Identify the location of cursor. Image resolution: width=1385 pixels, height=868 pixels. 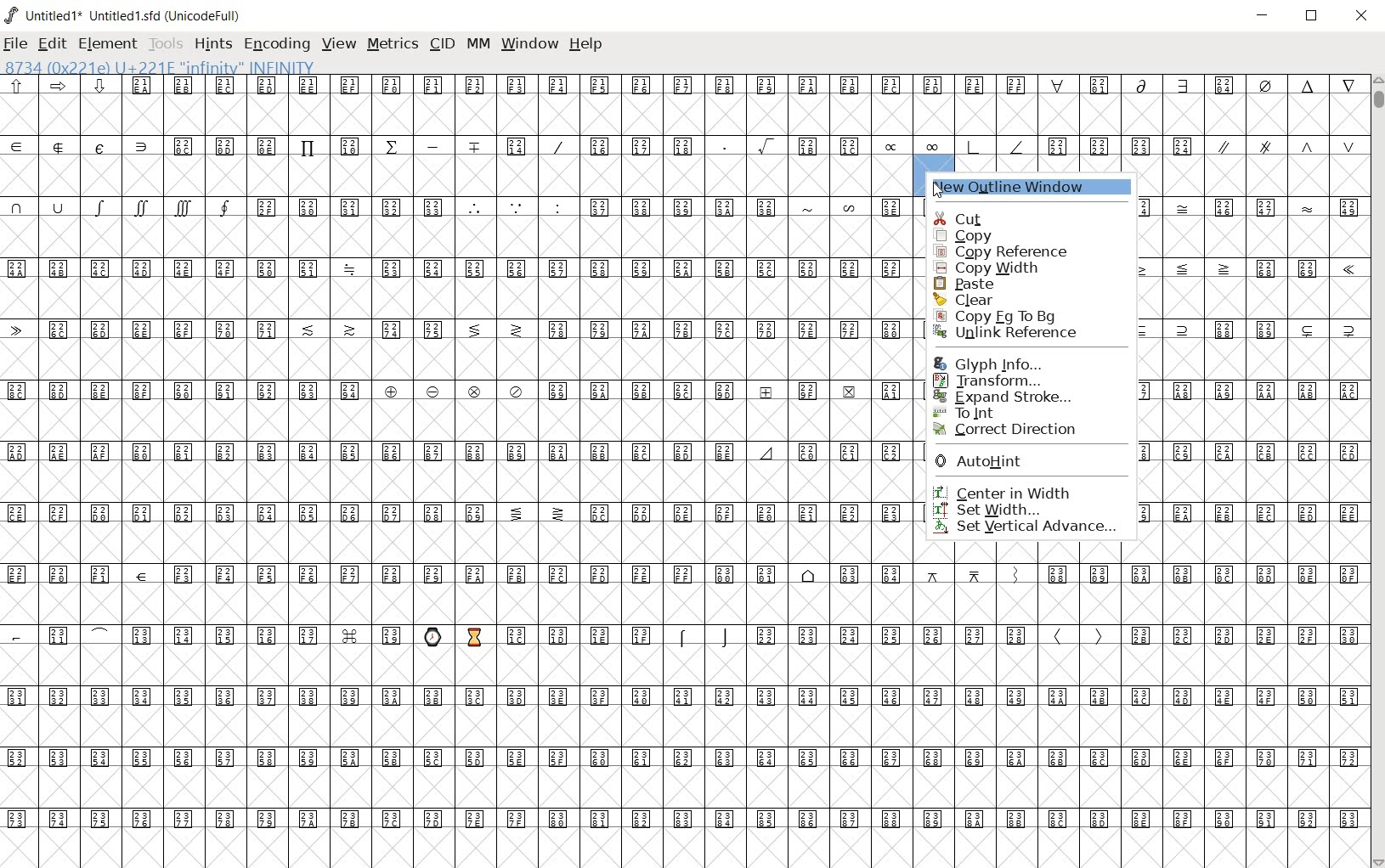
(941, 187).